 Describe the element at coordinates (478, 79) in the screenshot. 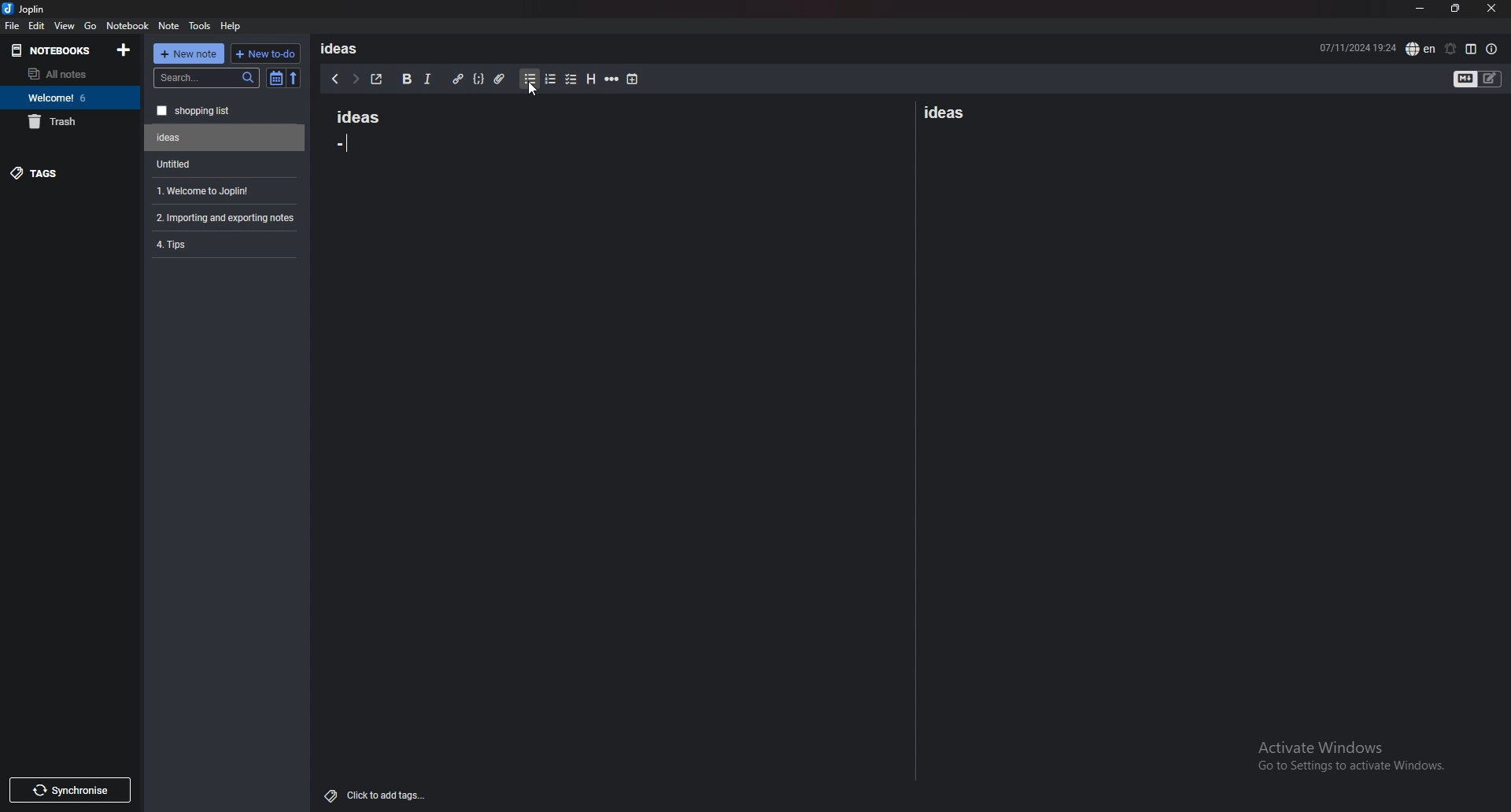

I see `code` at that location.